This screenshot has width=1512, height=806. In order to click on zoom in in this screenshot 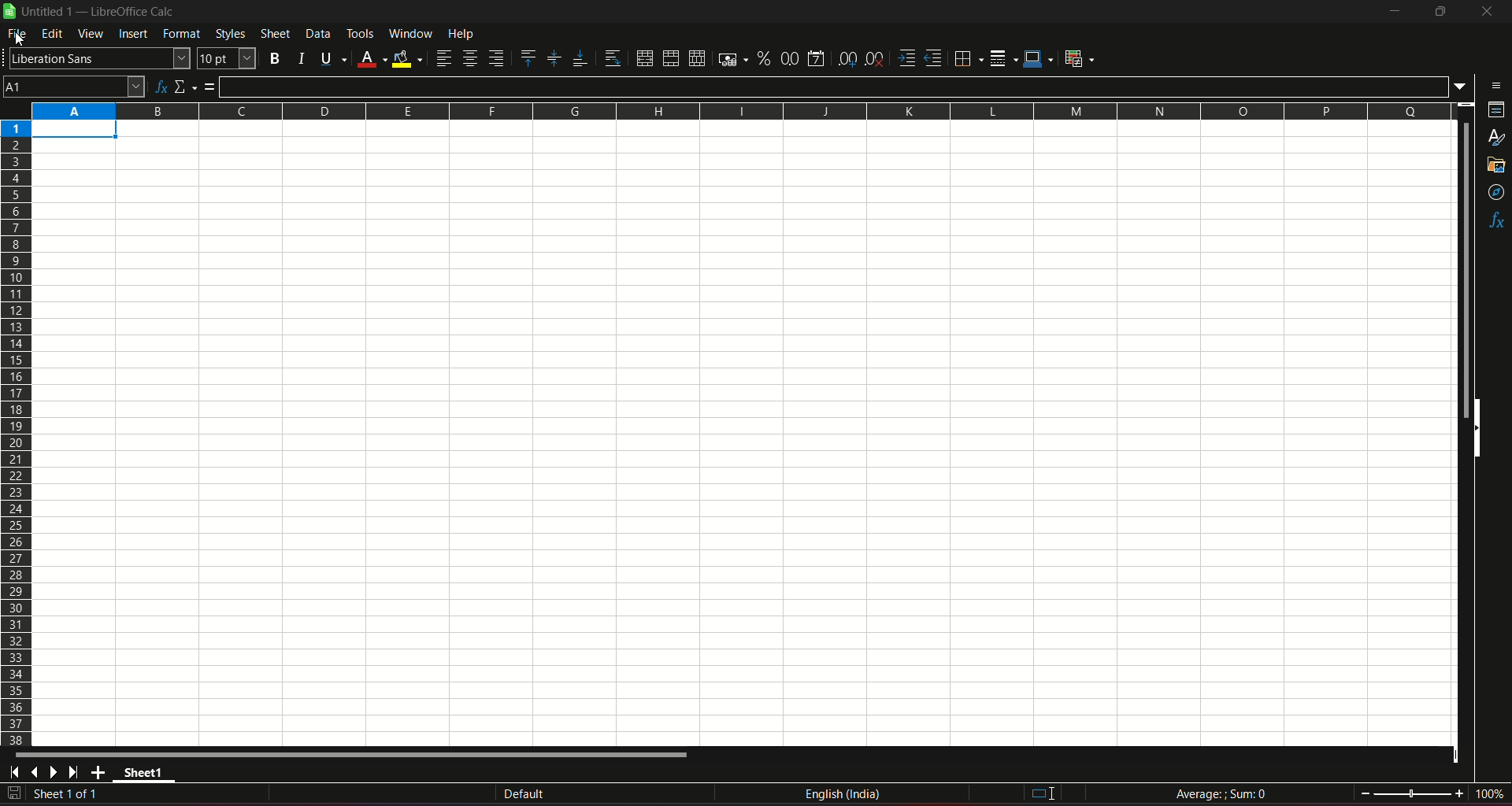, I will do `click(1458, 793)`.